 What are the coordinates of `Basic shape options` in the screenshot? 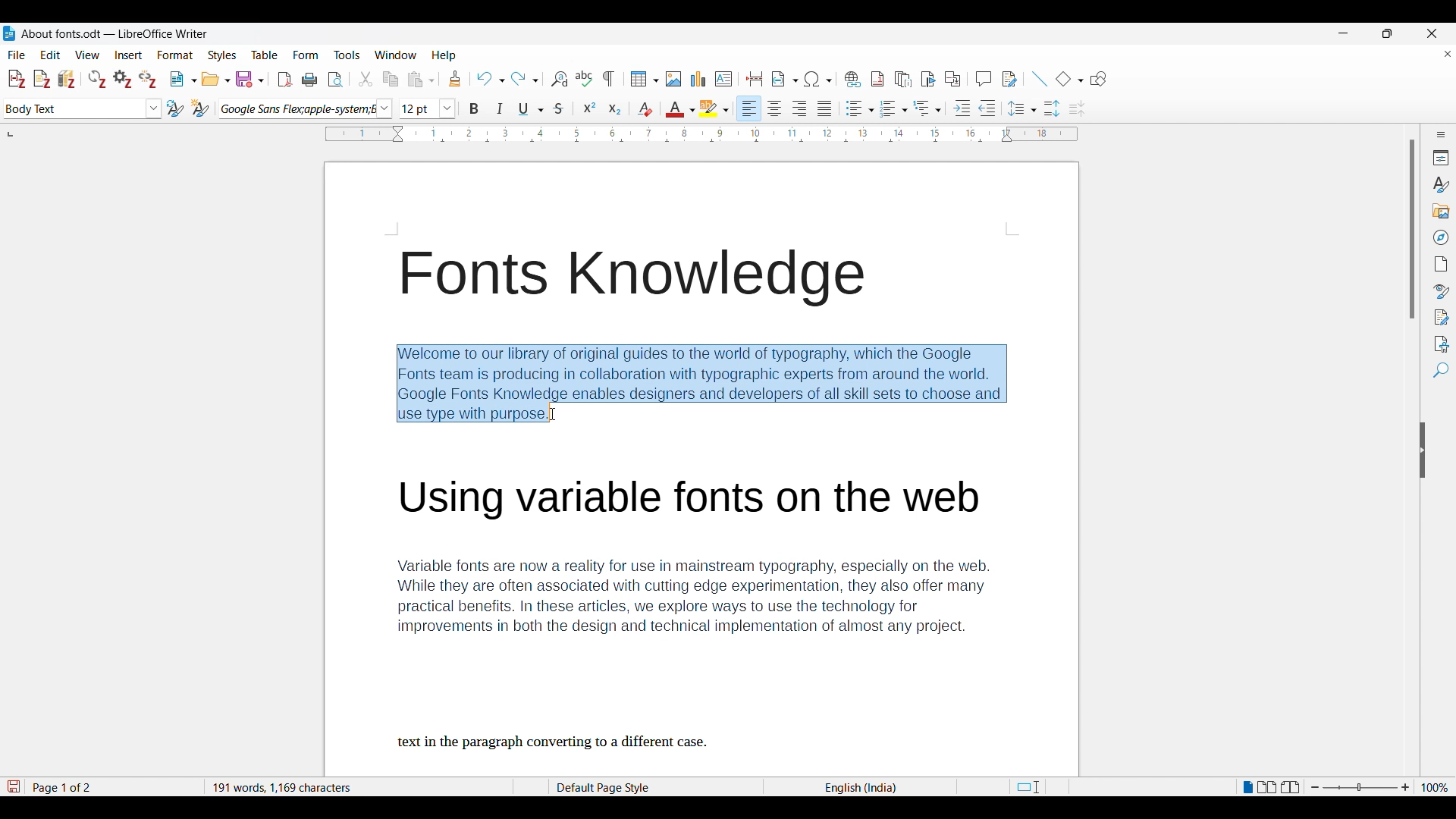 It's located at (1069, 79).